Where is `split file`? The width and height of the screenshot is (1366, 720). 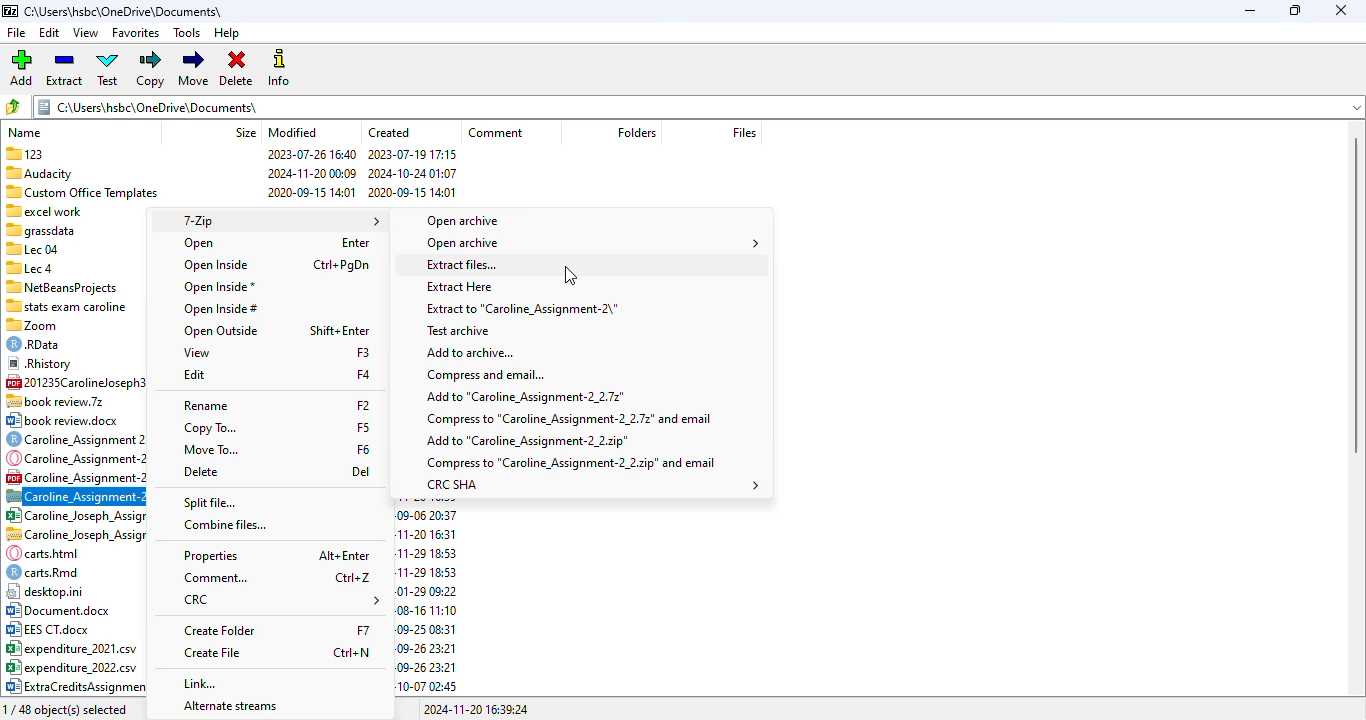
split file is located at coordinates (207, 502).